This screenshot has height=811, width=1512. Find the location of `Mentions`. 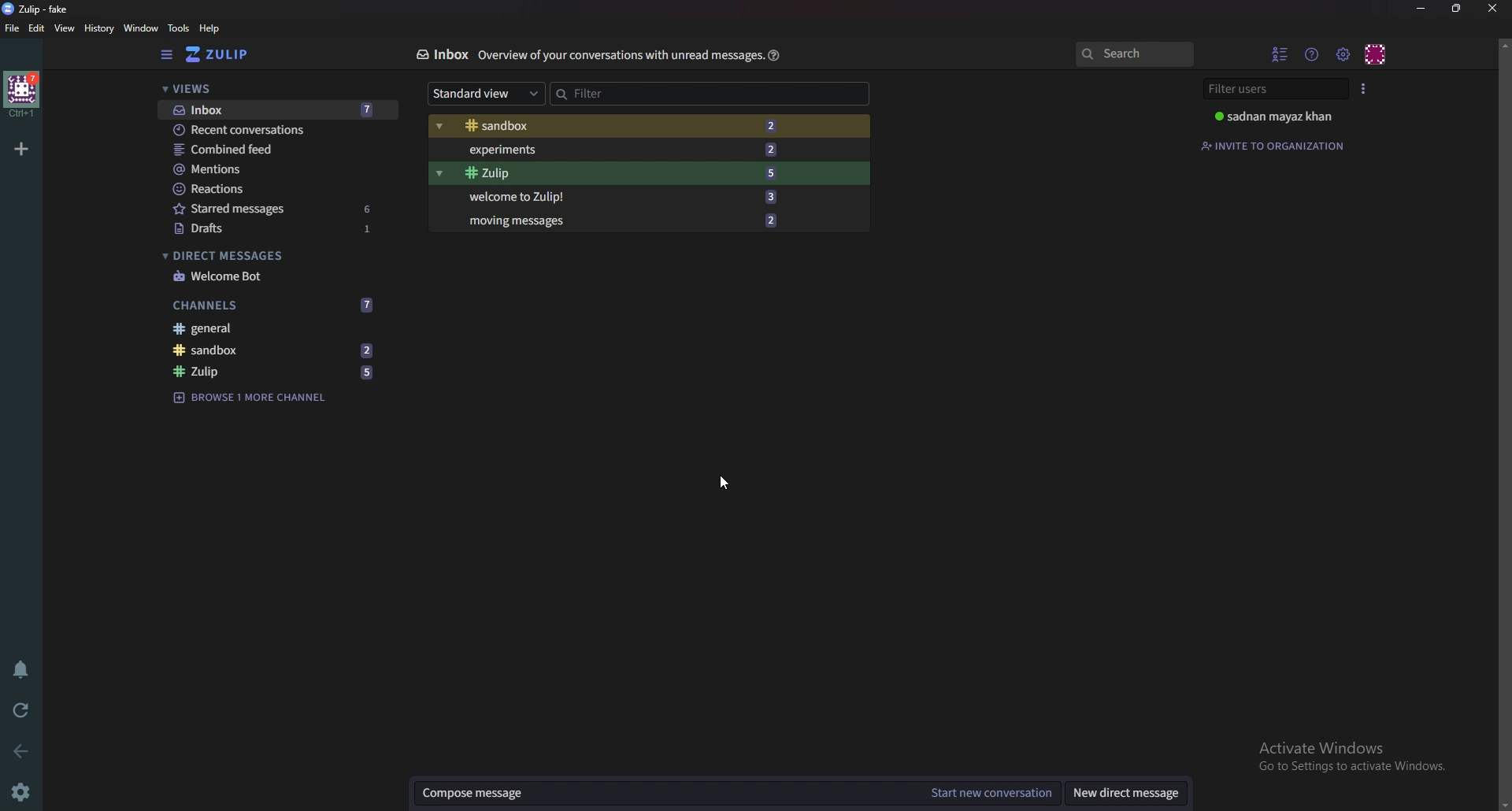

Mentions is located at coordinates (279, 170).